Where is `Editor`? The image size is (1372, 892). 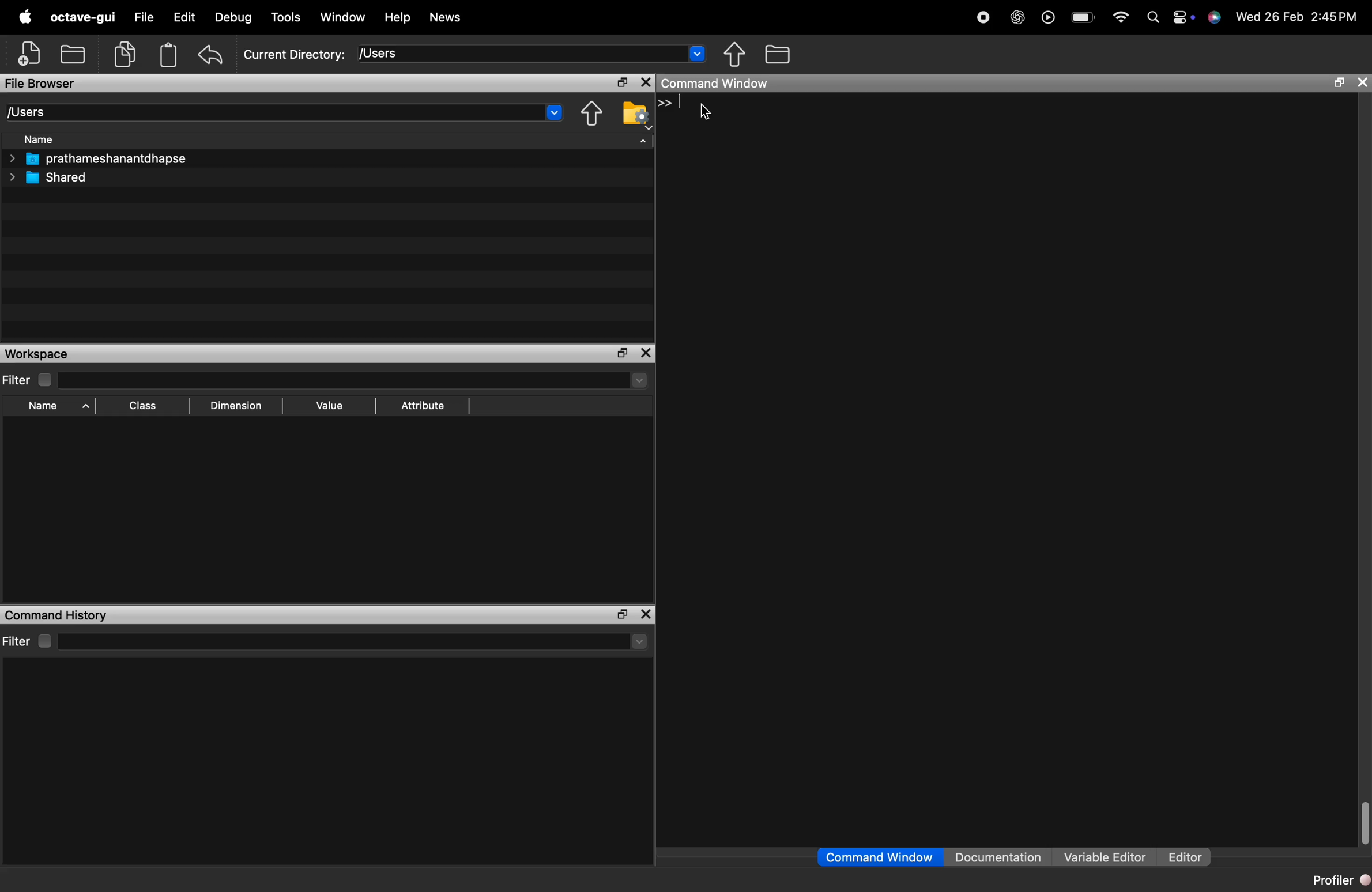 Editor is located at coordinates (1182, 852).